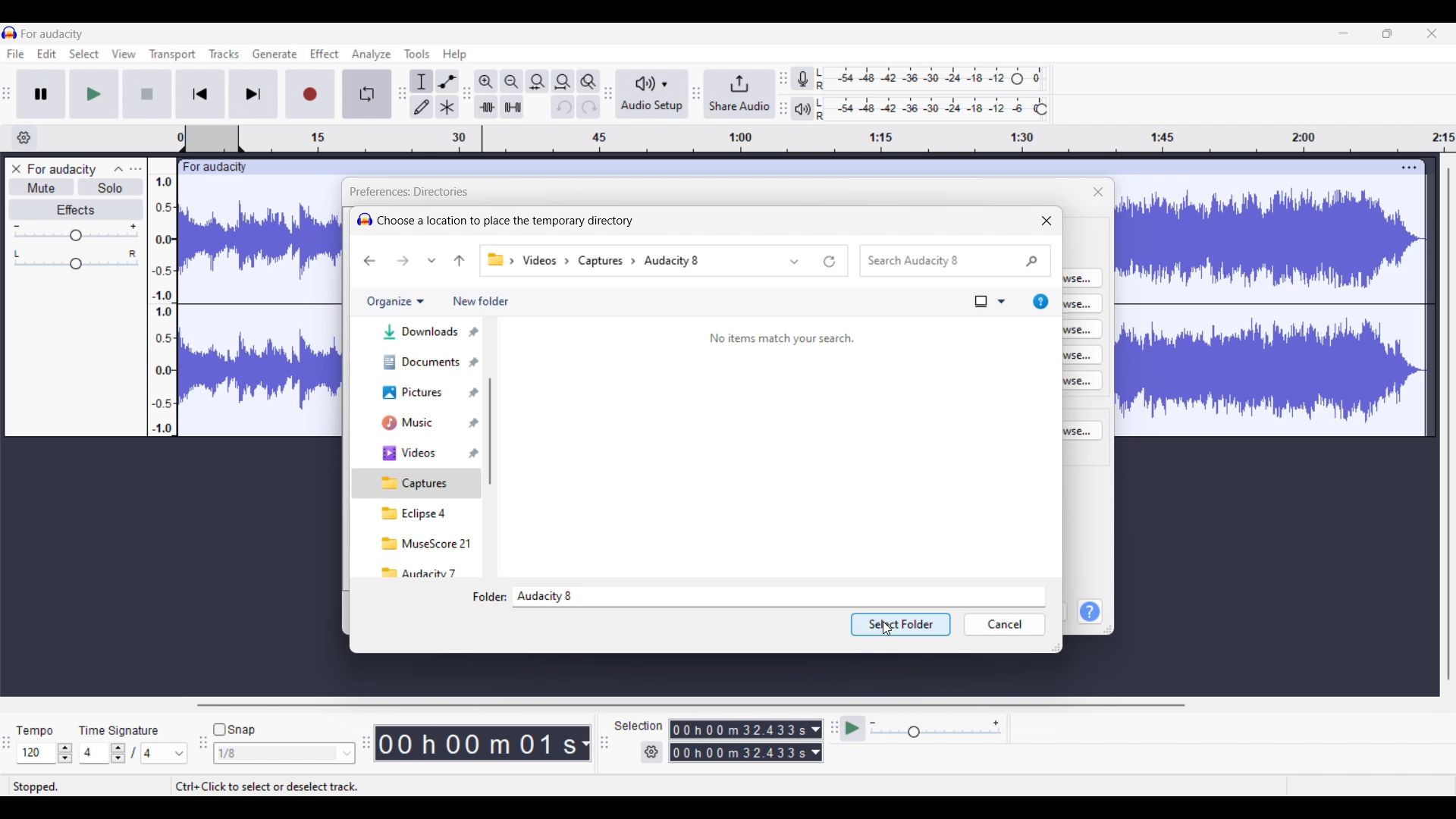 Image resolution: width=1456 pixels, height=819 pixels. What do you see at coordinates (394, 302) in the screenshot?
I see `Organize options` at bounding box center [394, 302].